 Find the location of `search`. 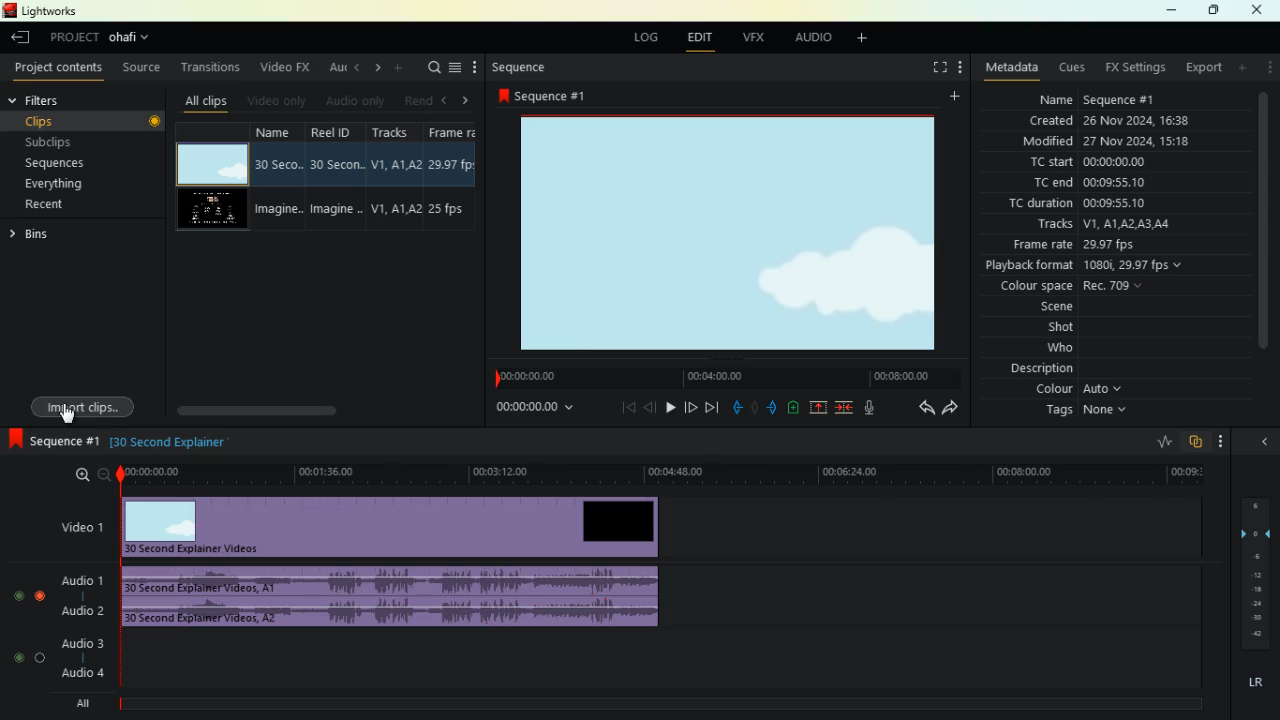

search is located at coordinates (431, 69).